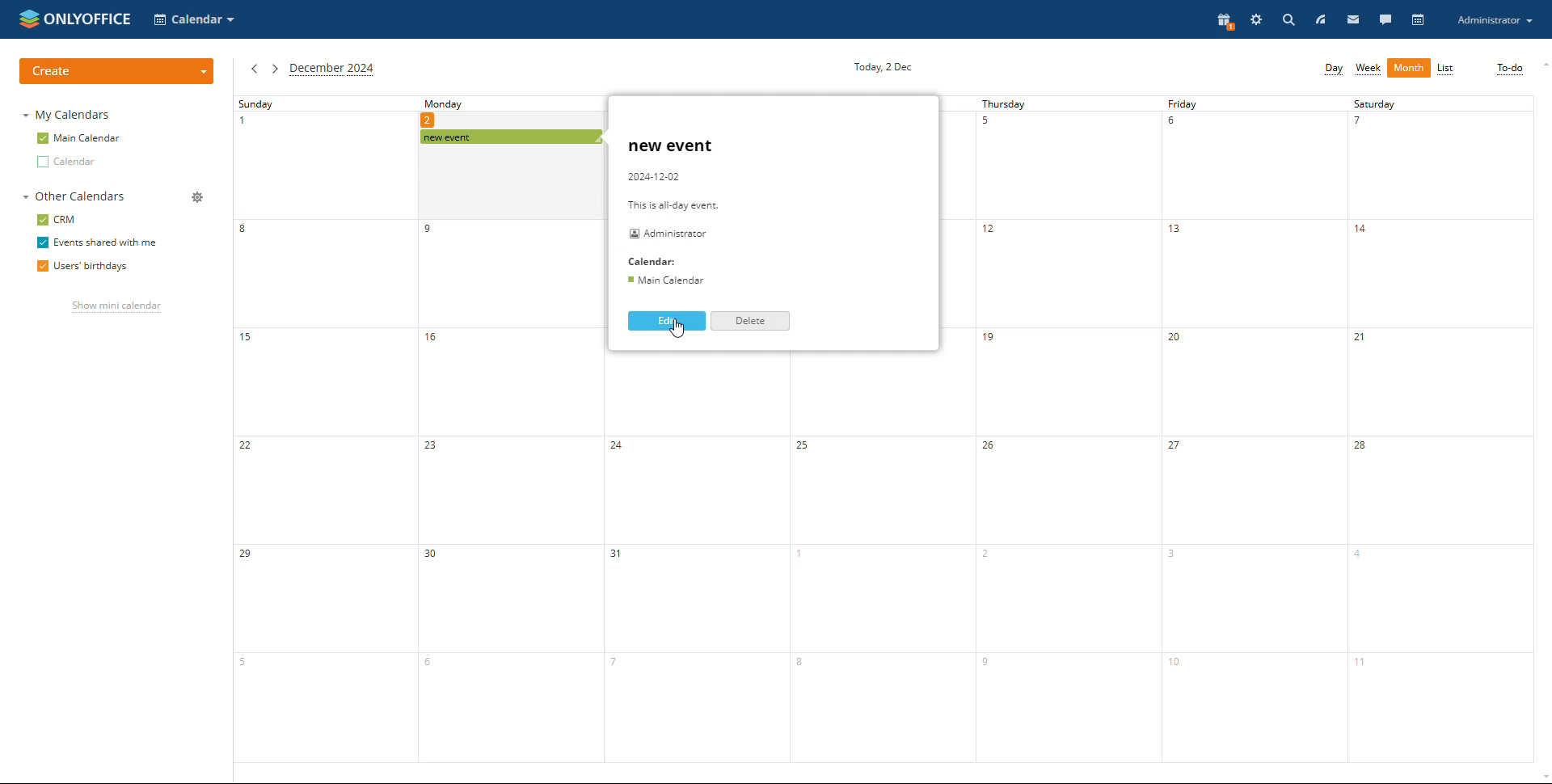  What do you see at coordinates (1225, 21) in the screenshot?
I see `present` at bounding box center [1225, 21].